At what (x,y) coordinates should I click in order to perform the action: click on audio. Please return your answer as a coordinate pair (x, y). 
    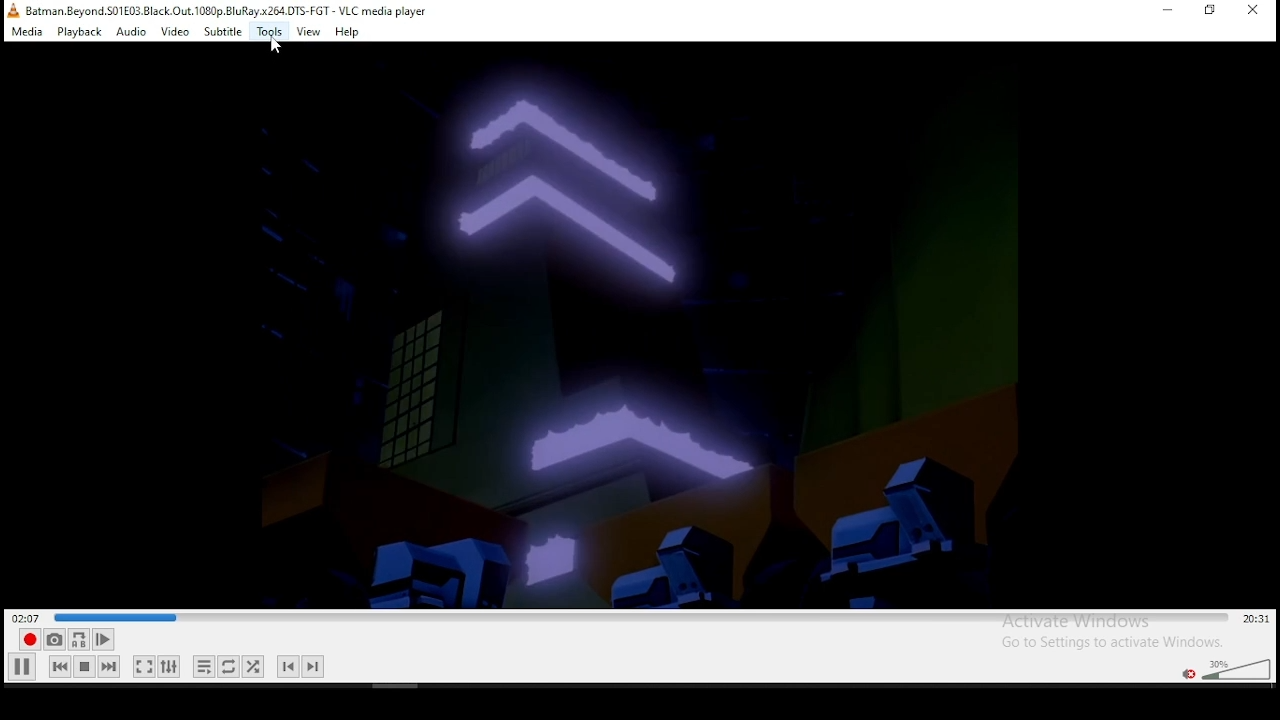
    Looking at the image, I should click on (130, 33).